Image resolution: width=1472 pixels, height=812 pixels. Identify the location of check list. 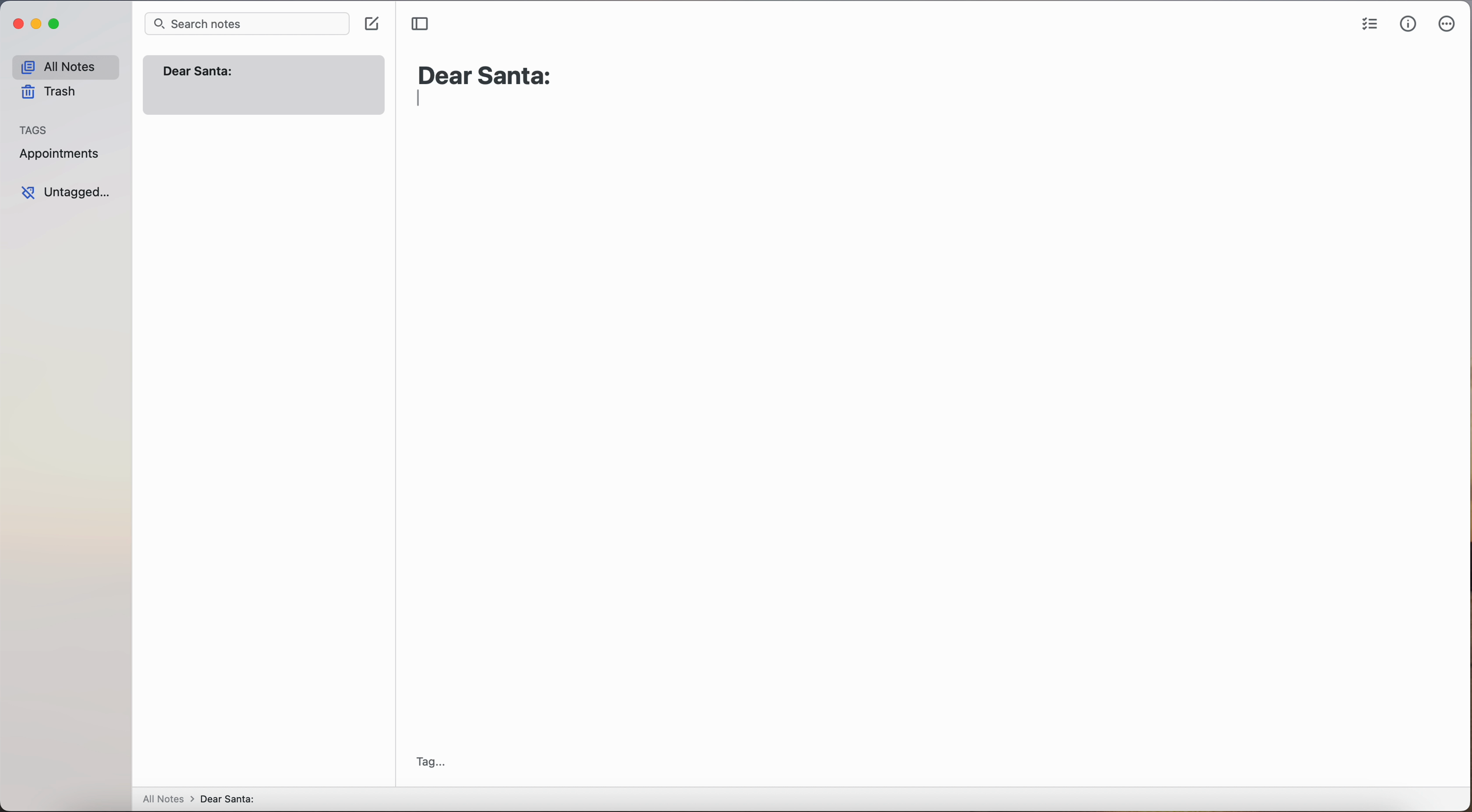
(1370, 25).